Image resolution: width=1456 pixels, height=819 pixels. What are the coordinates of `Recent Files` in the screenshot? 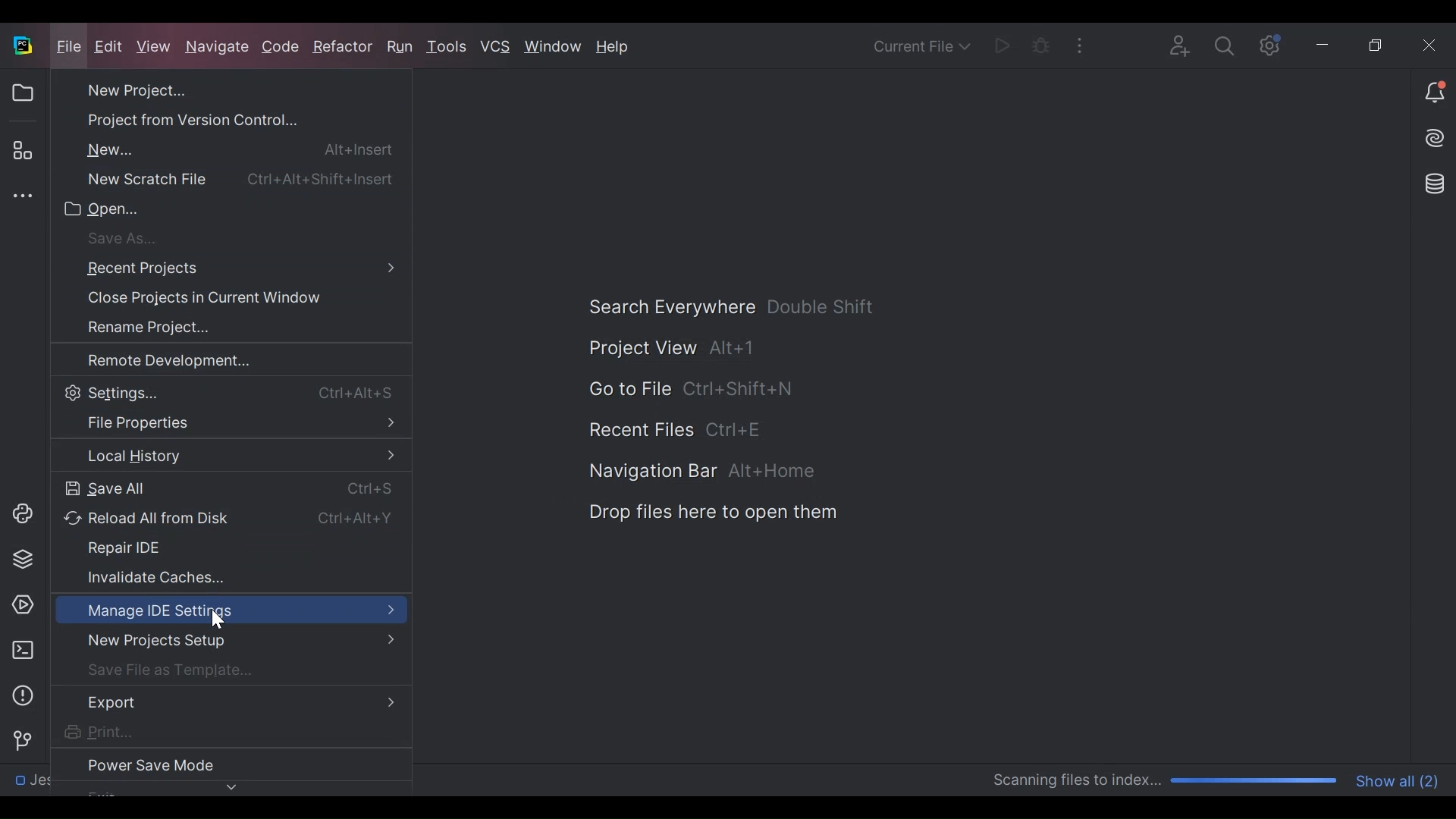 It's located at (676, 429).